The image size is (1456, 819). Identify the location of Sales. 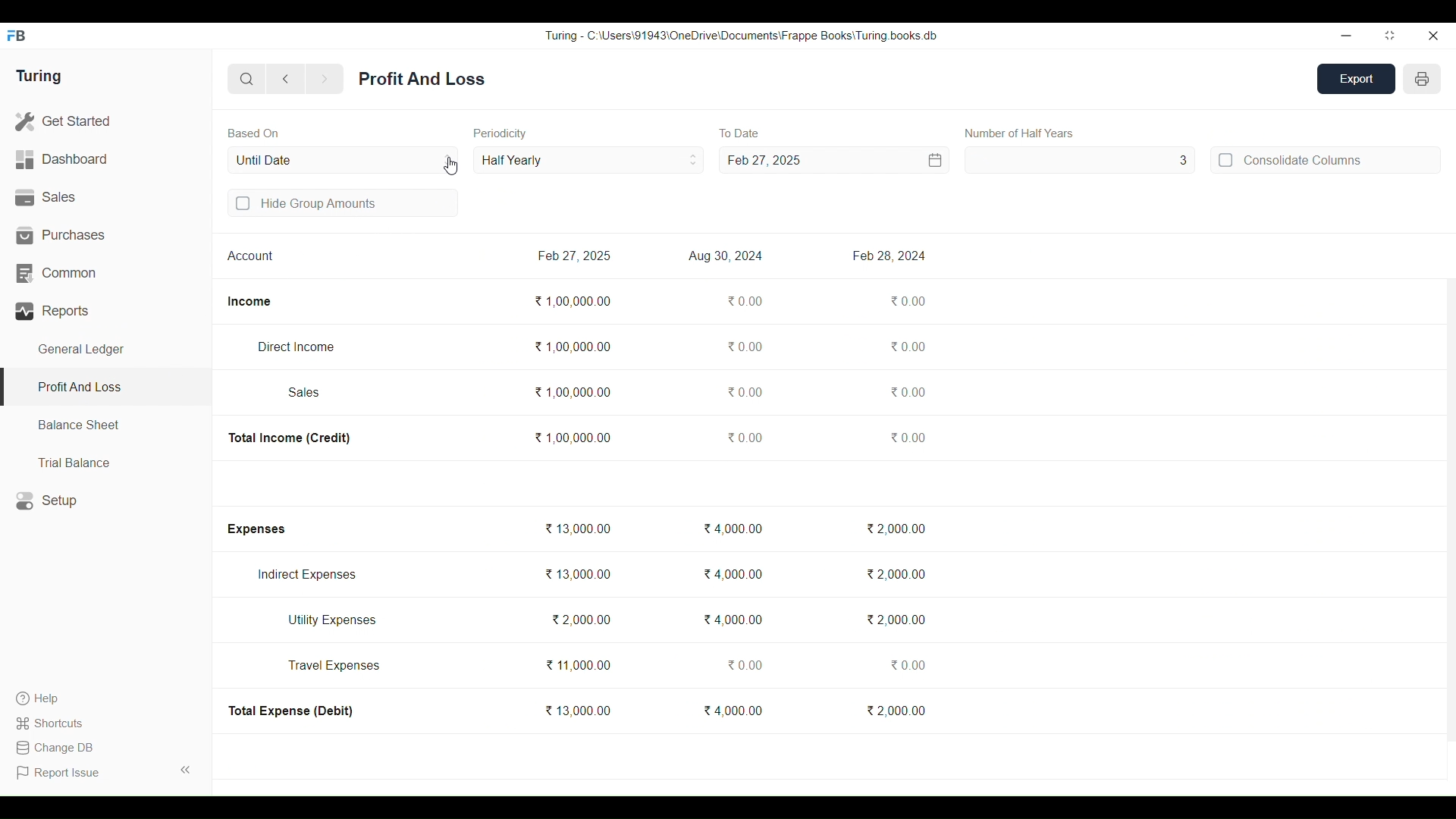
(105, 198).